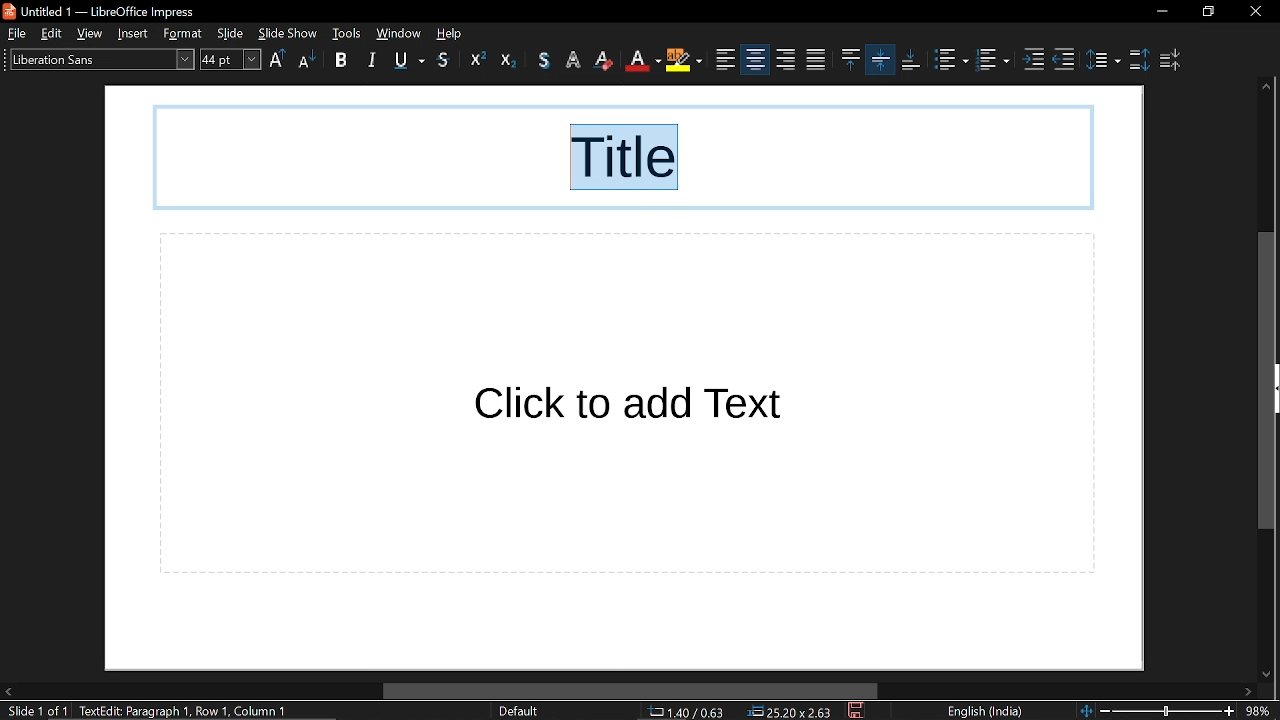  What do you see at coordinates (686, 61) in the screenshot?
I see `align left` at bounding box center [686, 61].